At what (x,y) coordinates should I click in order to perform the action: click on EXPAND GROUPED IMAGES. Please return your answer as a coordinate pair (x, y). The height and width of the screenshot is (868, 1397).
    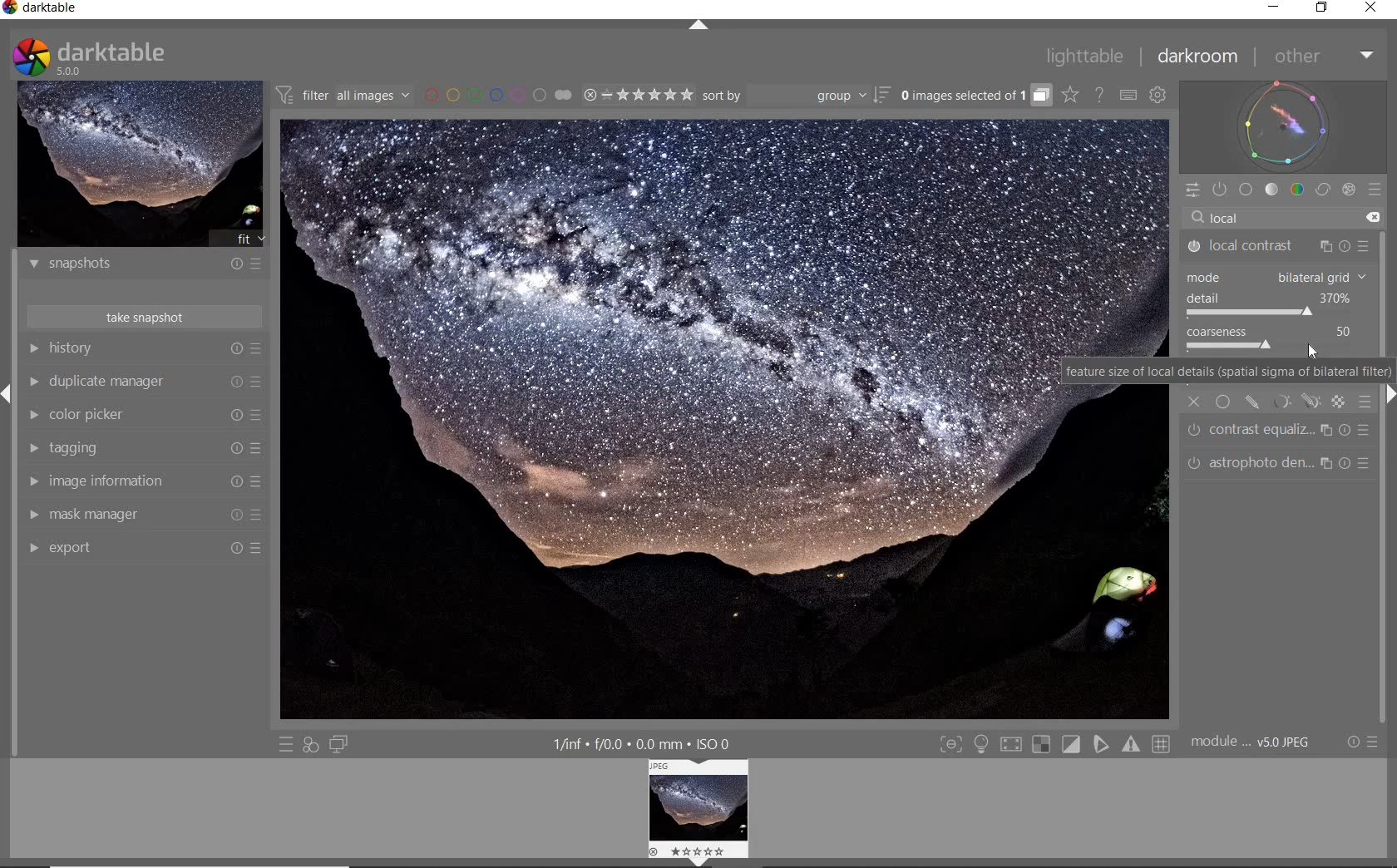
    Looking at the image, I should click on (975, 96).